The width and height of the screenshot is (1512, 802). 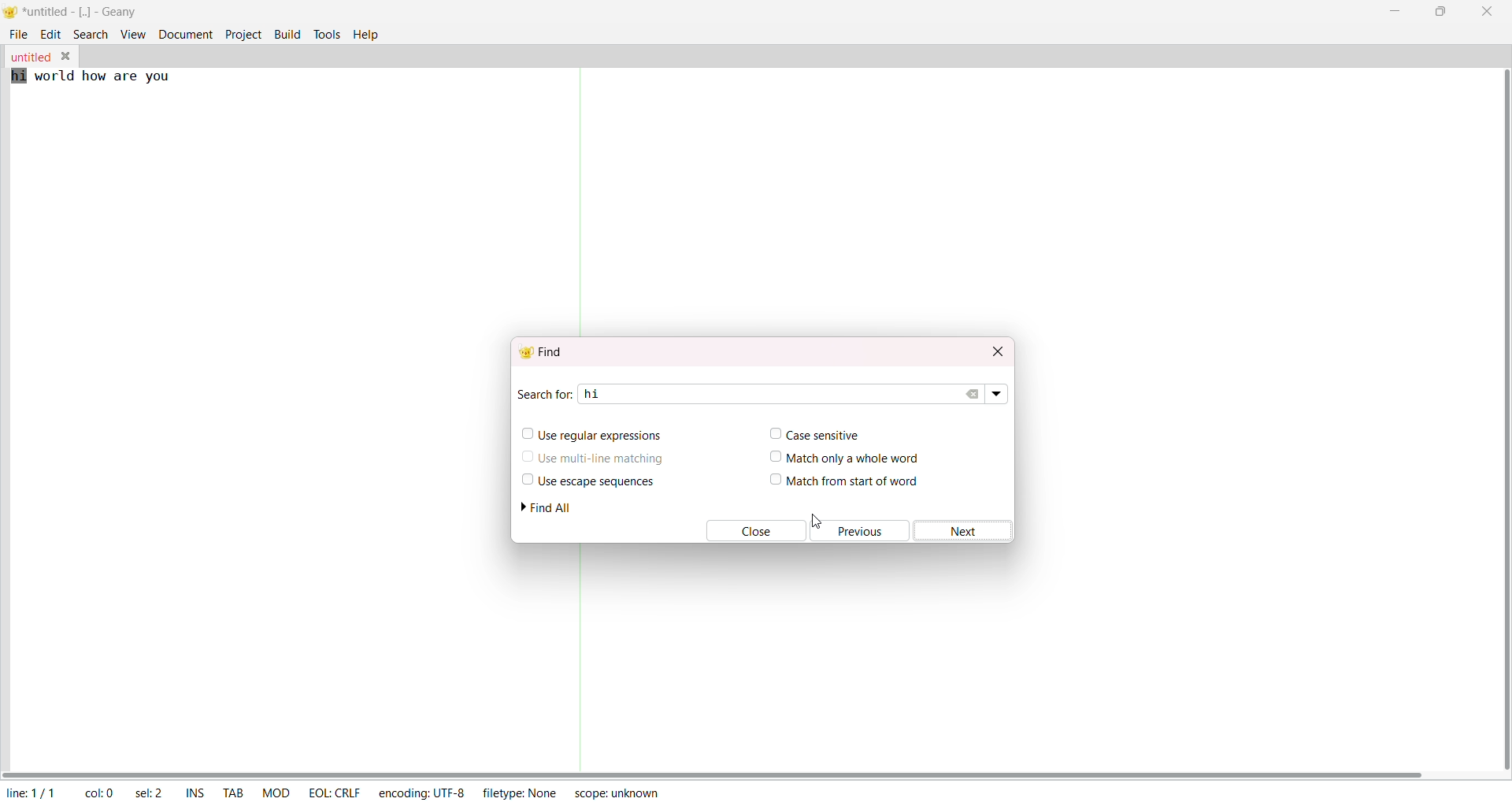 I want to click on use multiline matching, so click(x=606, y=459).